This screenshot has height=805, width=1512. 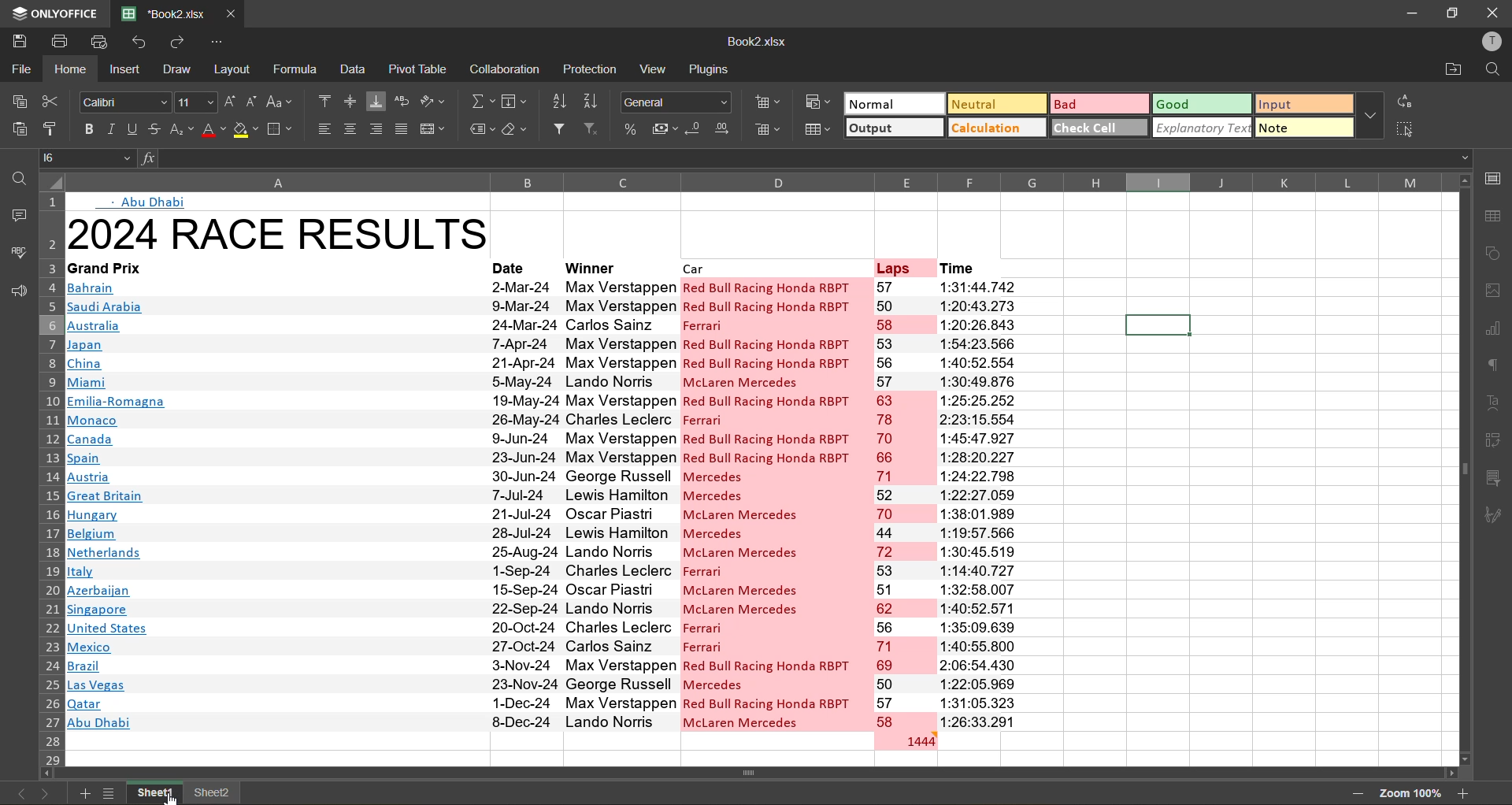 I want to click on conditional formatting, so click(x=817, y=102).